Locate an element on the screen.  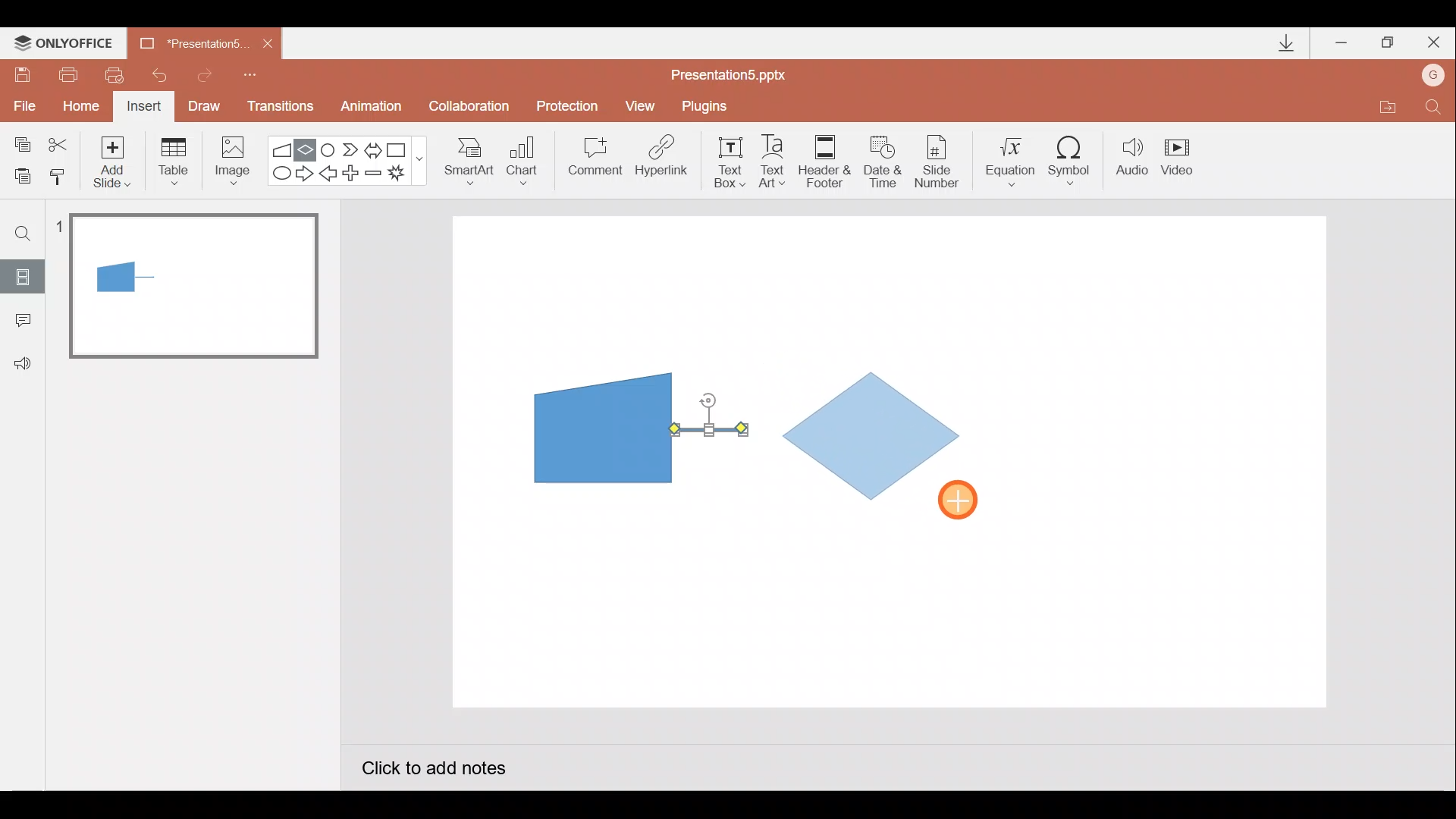
Copy style is located at coordinates (59, 174).